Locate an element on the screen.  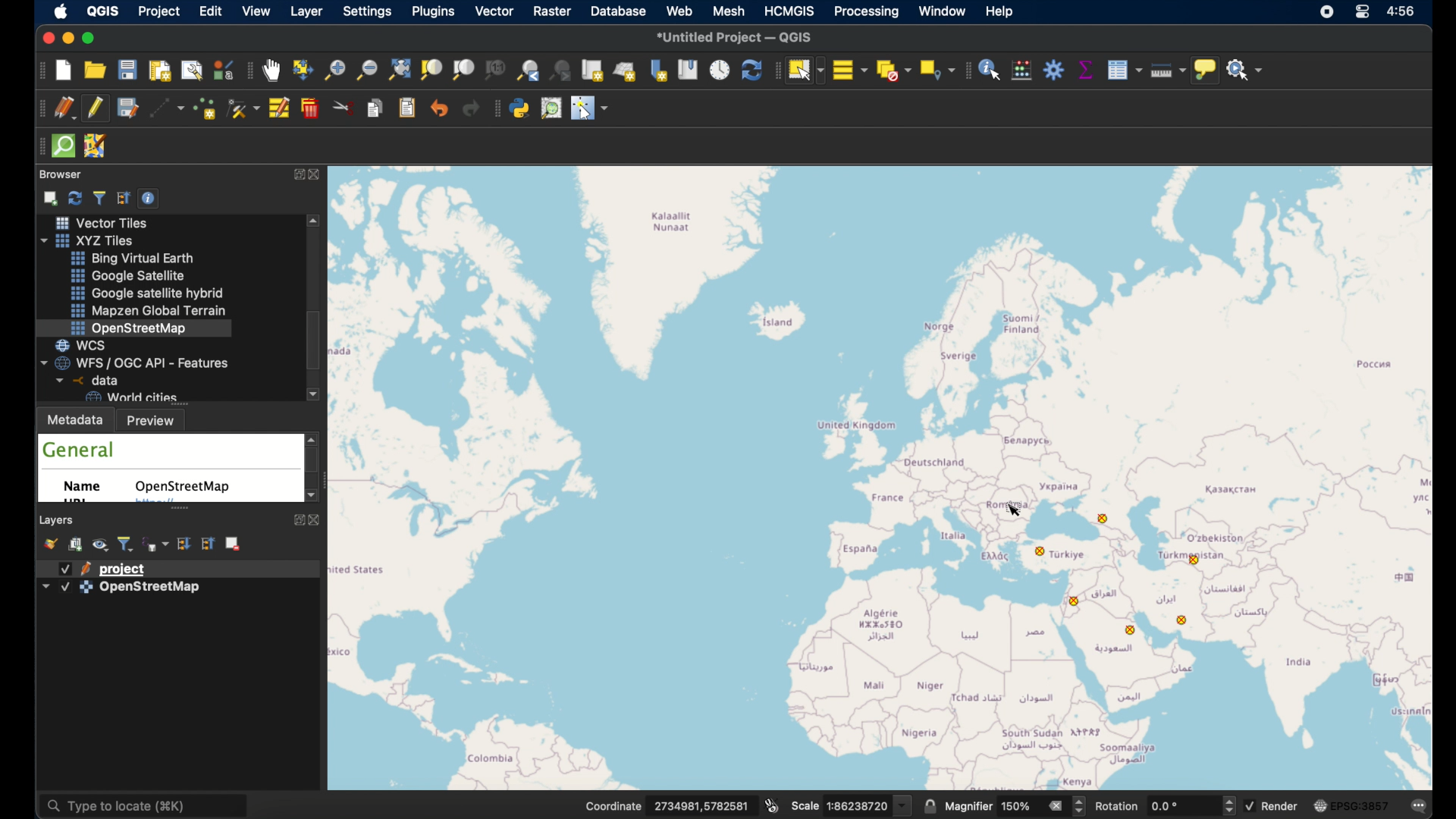
zoom in is located at coordinates (334, 74).